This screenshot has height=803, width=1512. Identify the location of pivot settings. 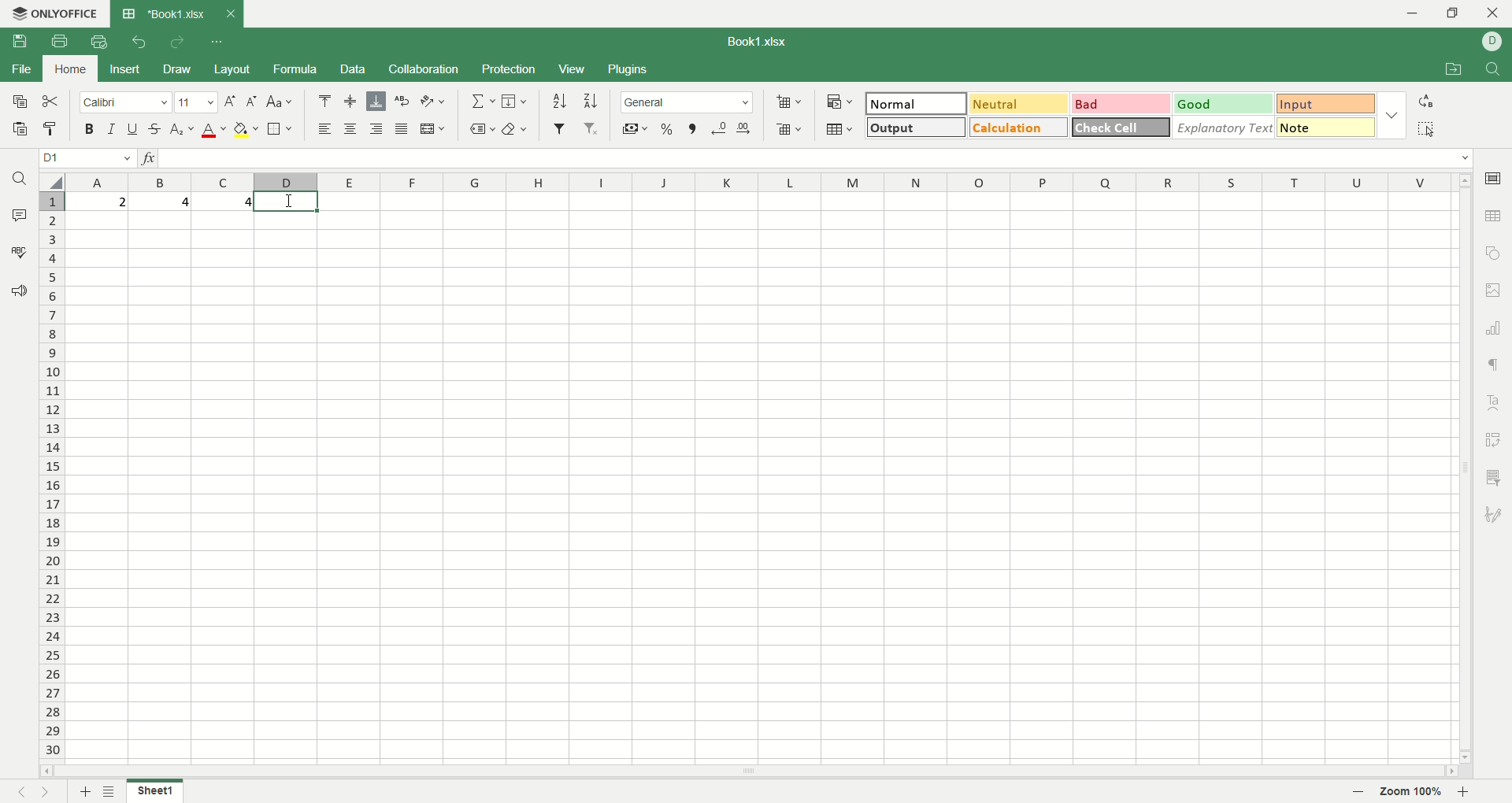
(1495, 438).